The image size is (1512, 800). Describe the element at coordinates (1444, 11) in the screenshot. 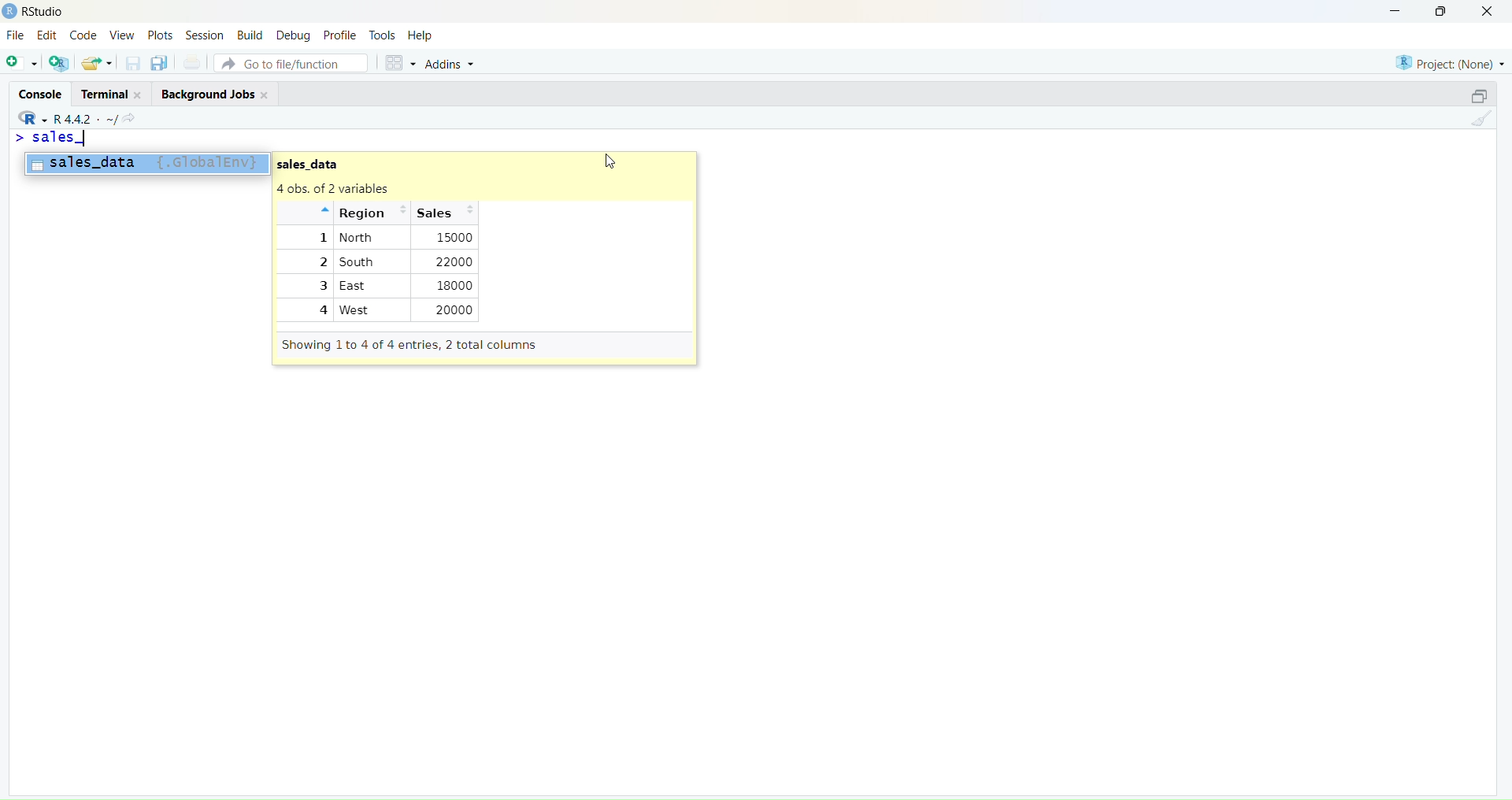

I see `maximise` at that location.